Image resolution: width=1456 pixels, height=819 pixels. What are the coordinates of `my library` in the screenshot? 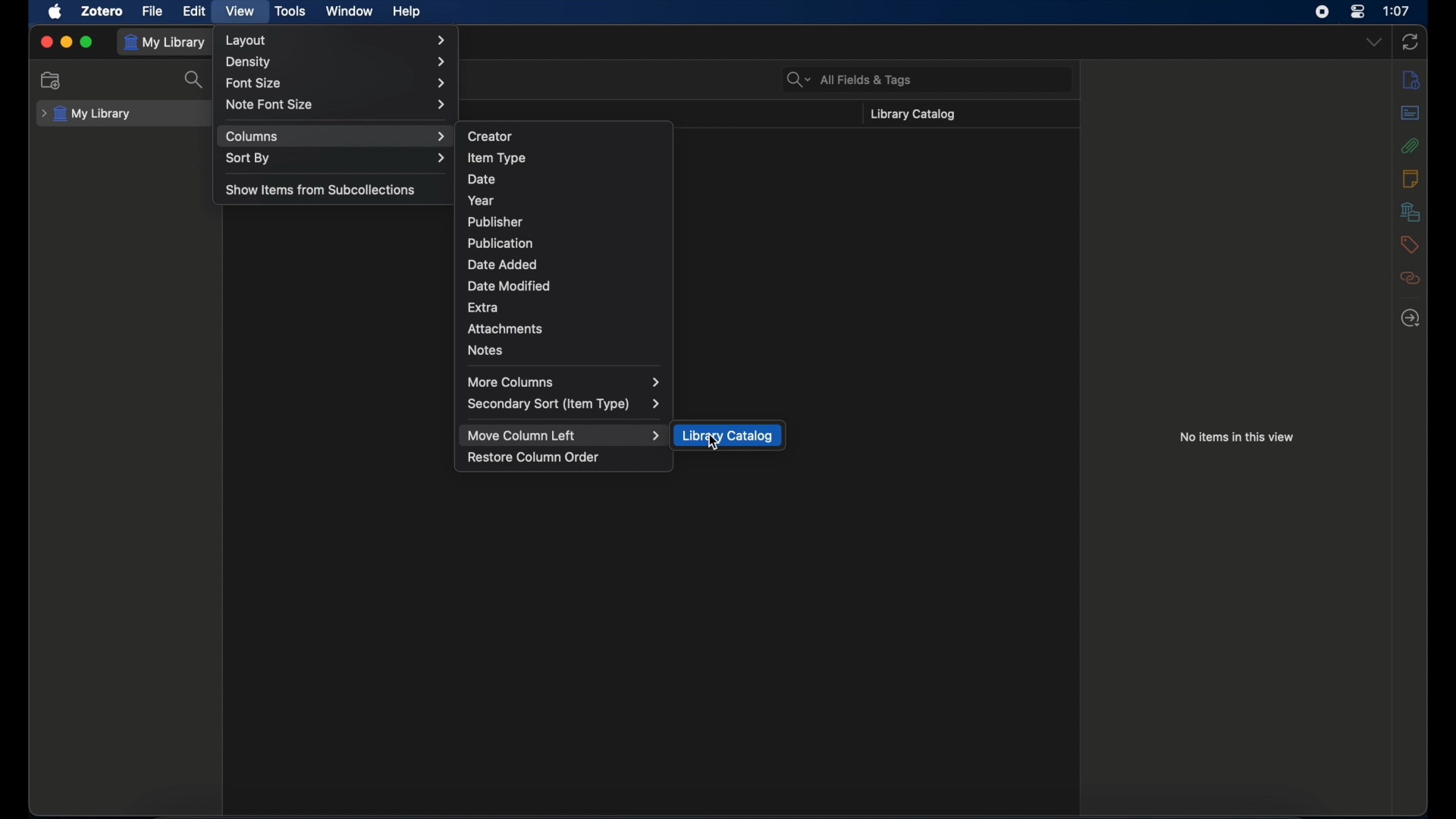 It's located at (86, 115).